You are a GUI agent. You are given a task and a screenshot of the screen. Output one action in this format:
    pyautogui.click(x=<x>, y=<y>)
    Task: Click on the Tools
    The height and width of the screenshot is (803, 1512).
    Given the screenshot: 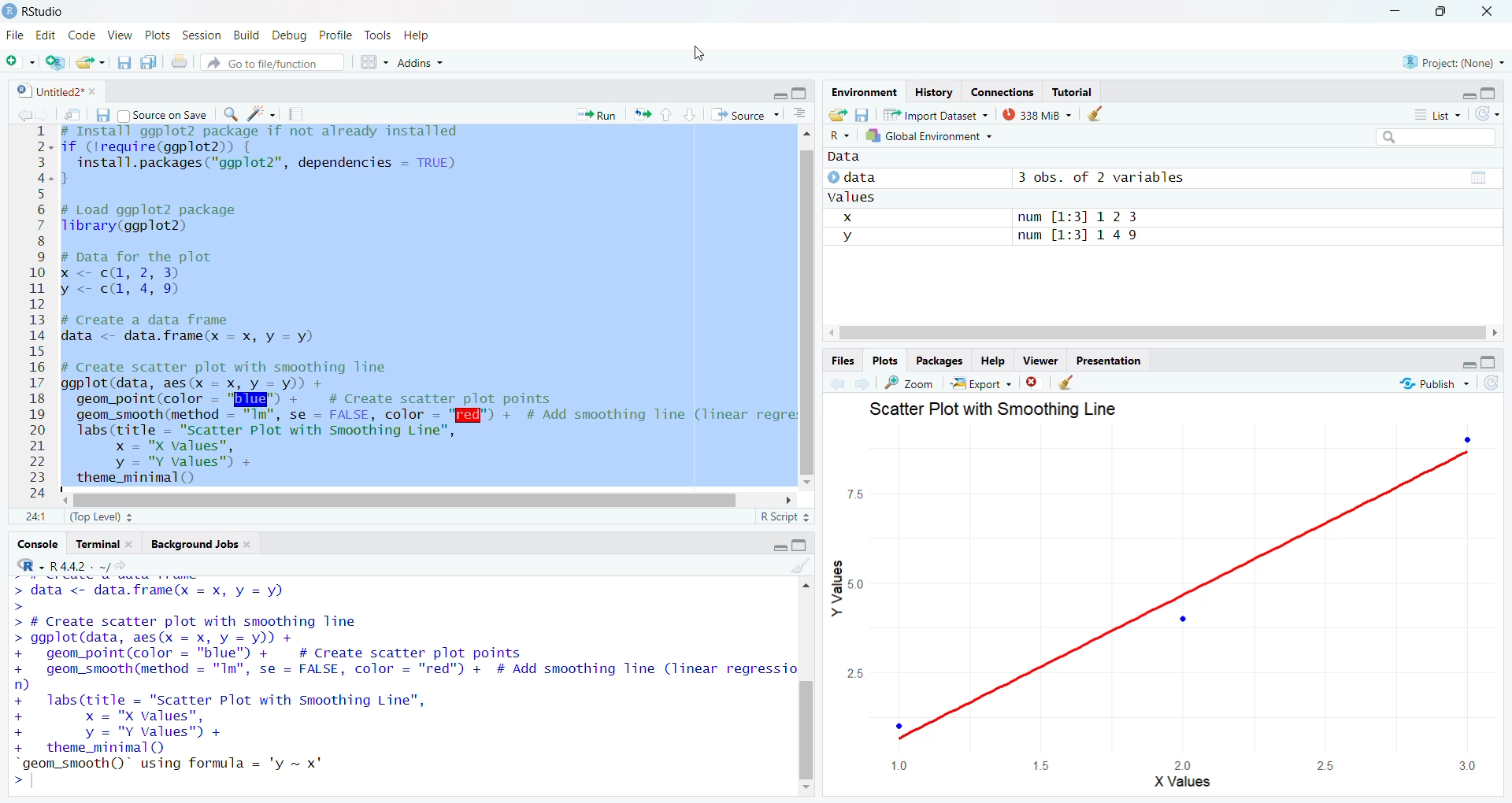 What is the action you would take?
    pyautogui.click(x=376, y=37)
    